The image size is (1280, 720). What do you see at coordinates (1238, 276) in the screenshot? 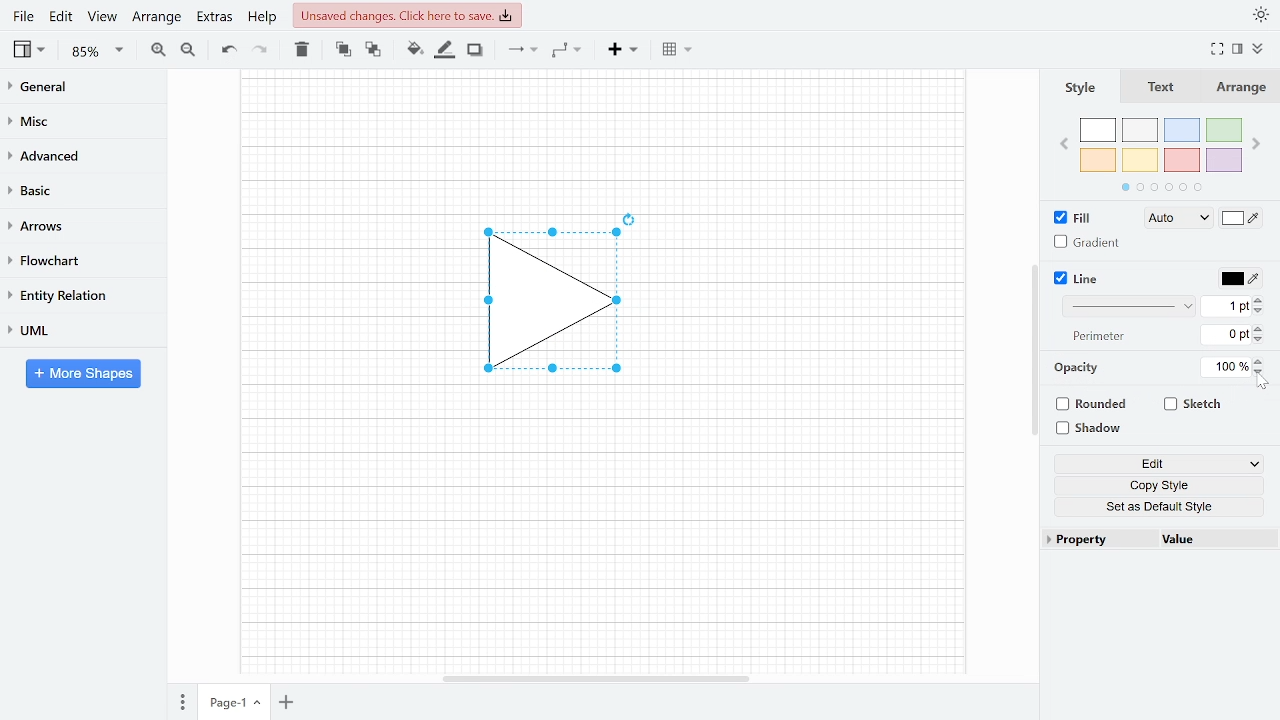
I see `Line color` at bounding box center [1238, 276].